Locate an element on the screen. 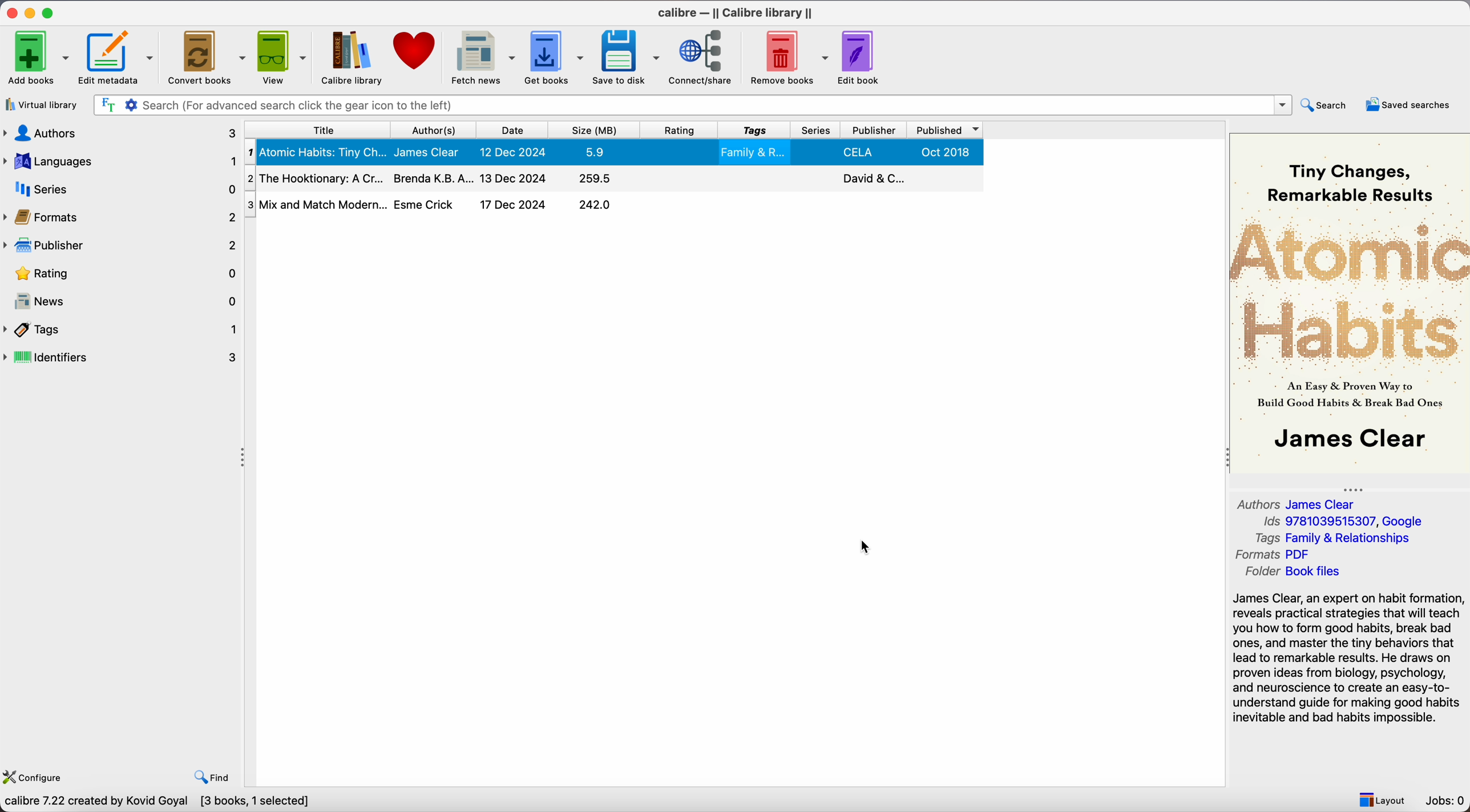 The image size is (1470, 812). Atomic Habits: Tiny Ch... is located at coordinates (315, 152).